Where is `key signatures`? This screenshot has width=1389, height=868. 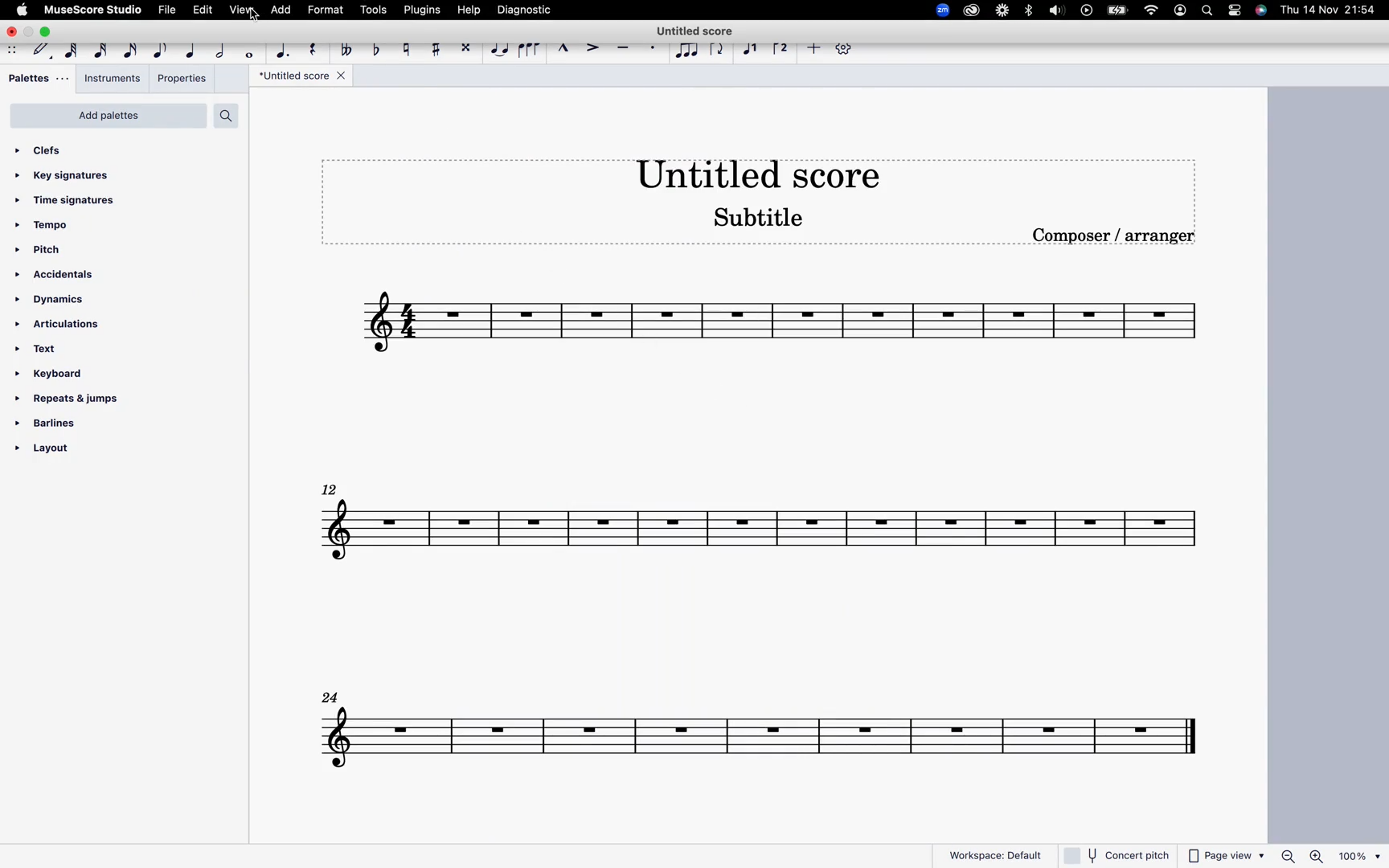
key signatures is located at coordinates (71, 175).